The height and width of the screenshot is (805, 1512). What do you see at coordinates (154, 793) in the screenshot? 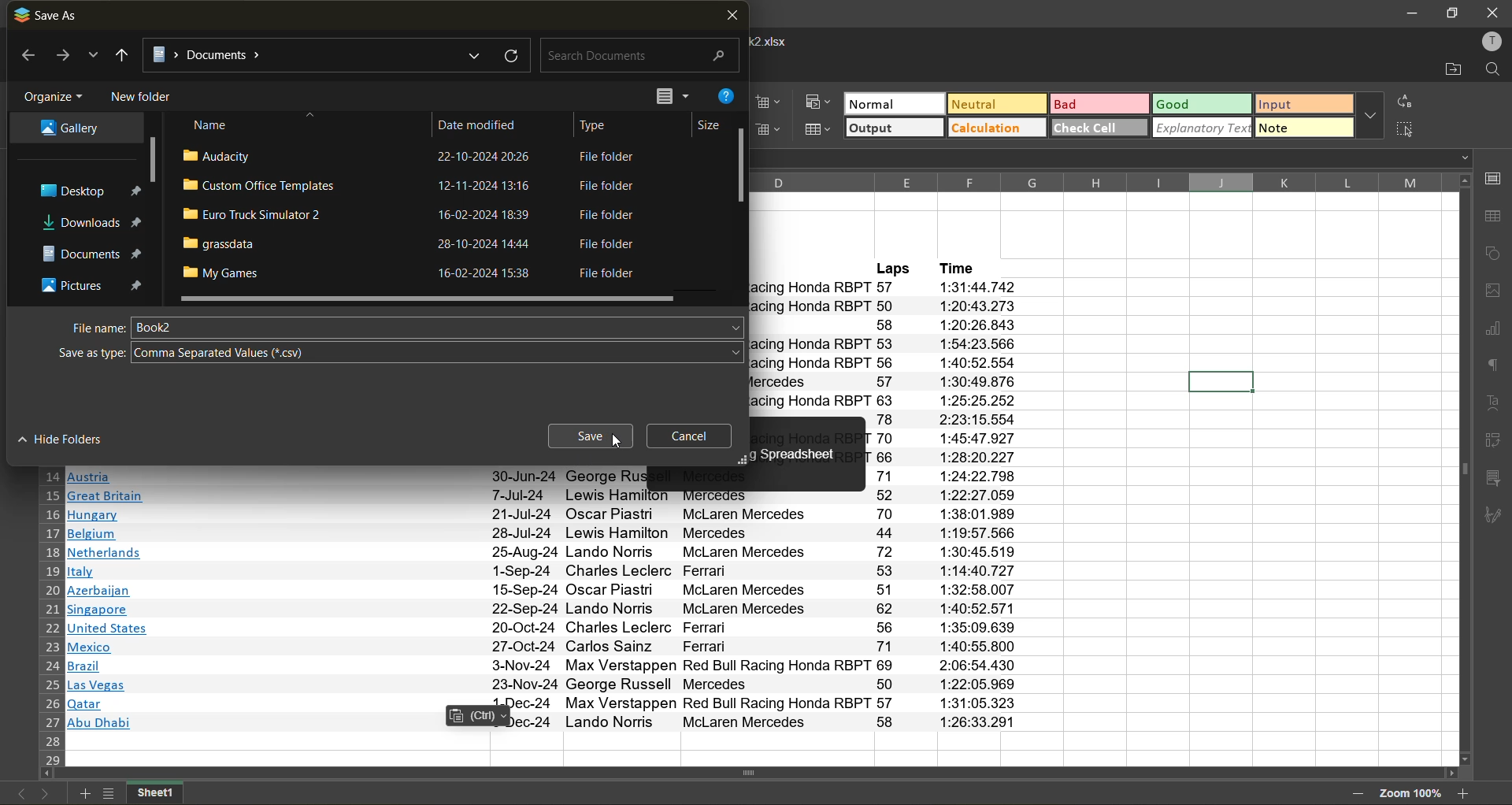
I see `sheet name` at bounding box center [154, 793].